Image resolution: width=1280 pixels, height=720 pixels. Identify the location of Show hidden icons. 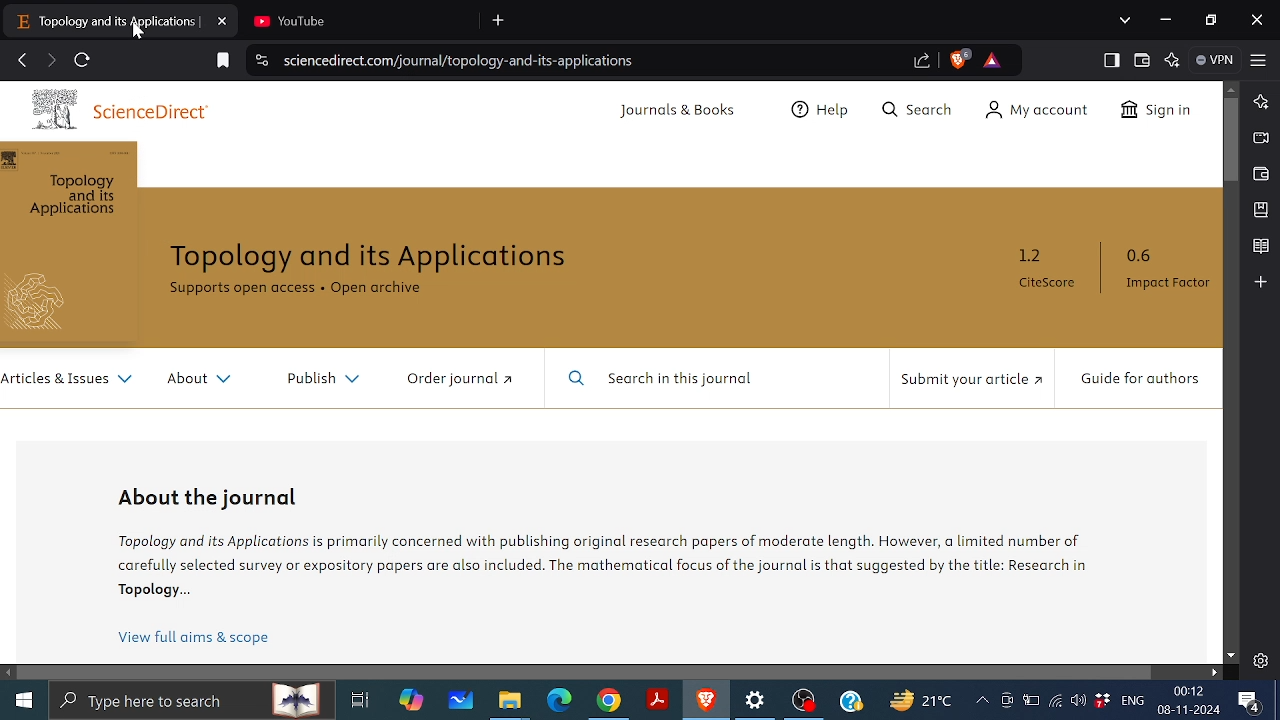
(982, 701).